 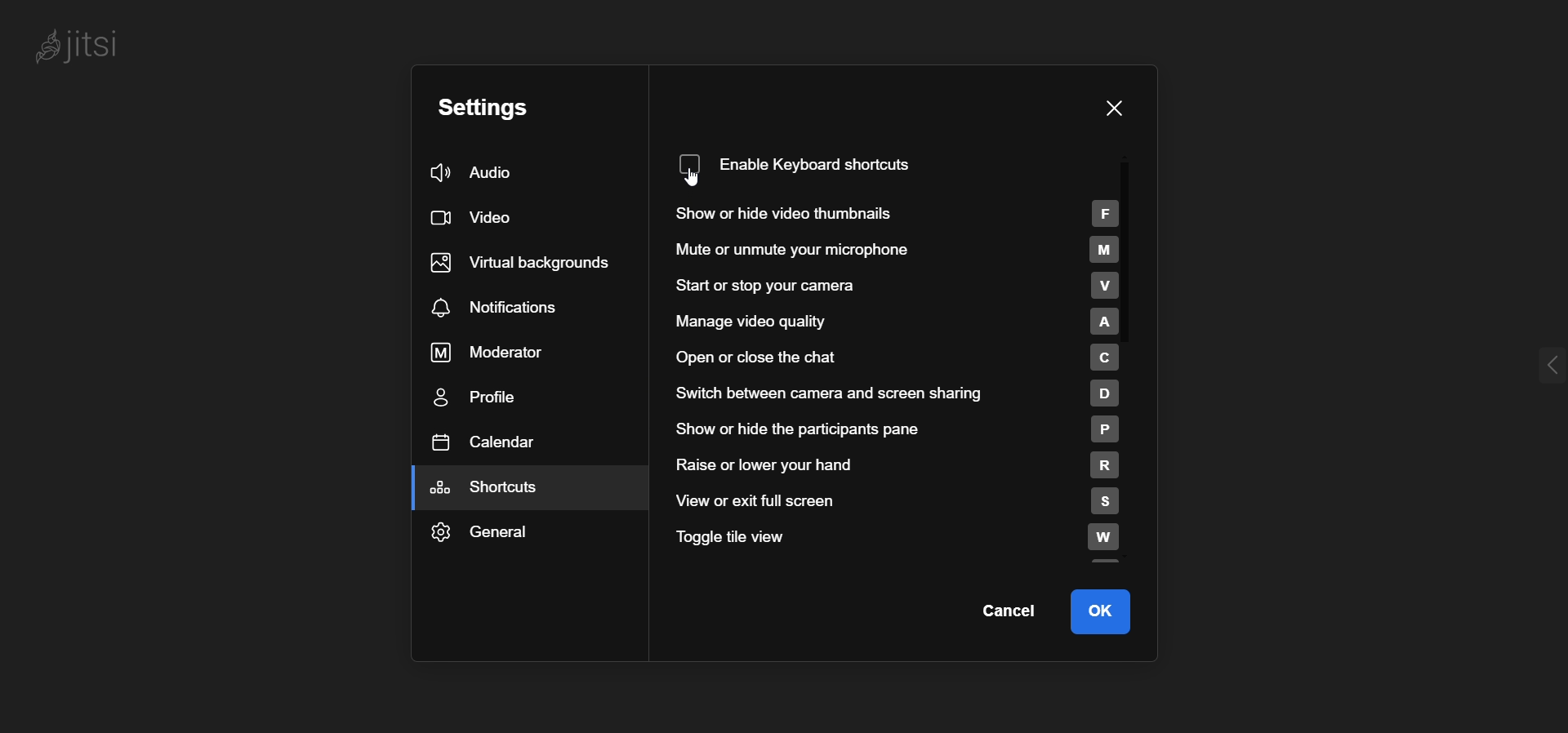 I want to click on setting, so click(x=489, y=107).